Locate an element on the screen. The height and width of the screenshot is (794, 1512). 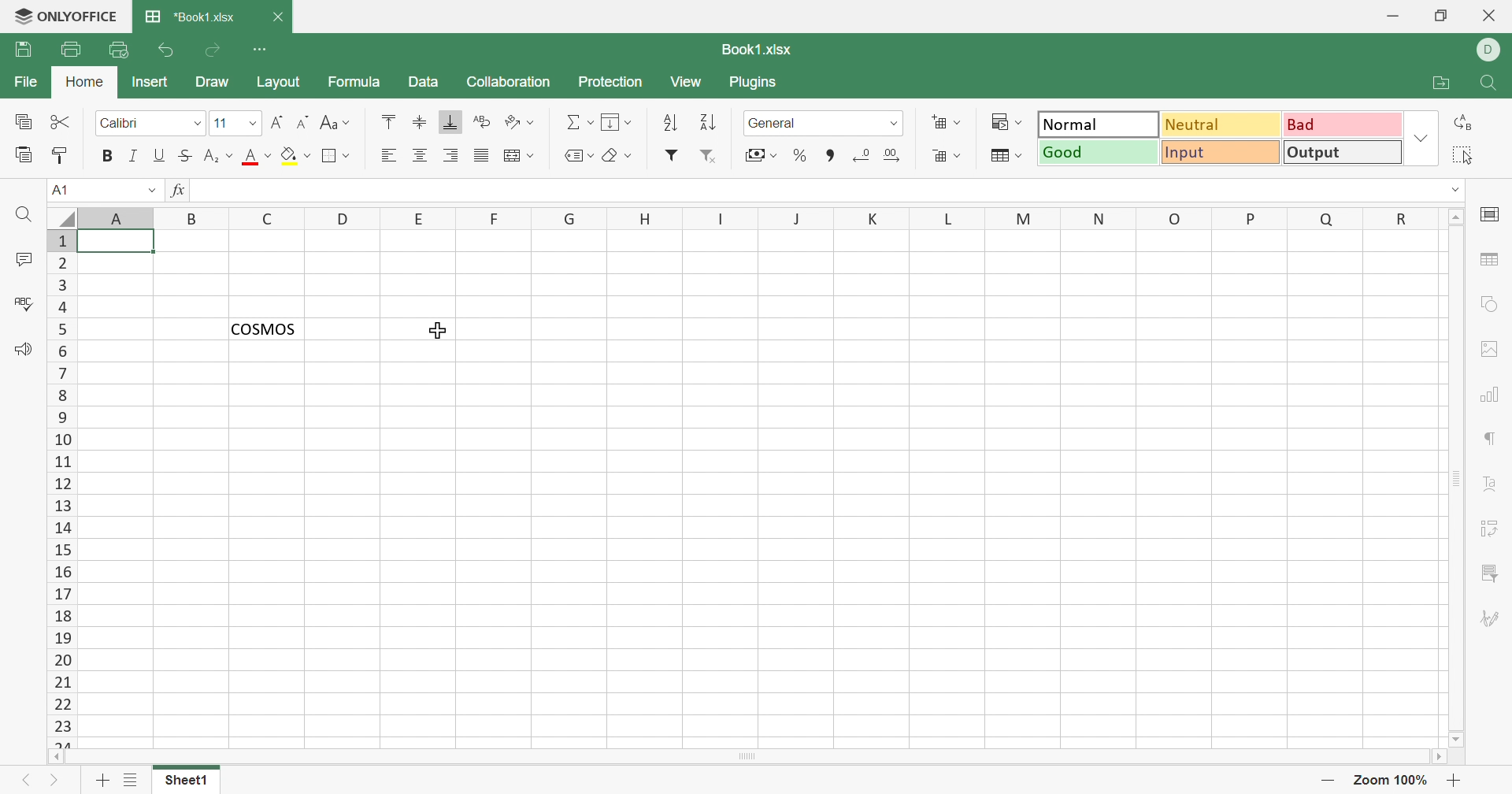
Close is located at coordinates (276, 16).